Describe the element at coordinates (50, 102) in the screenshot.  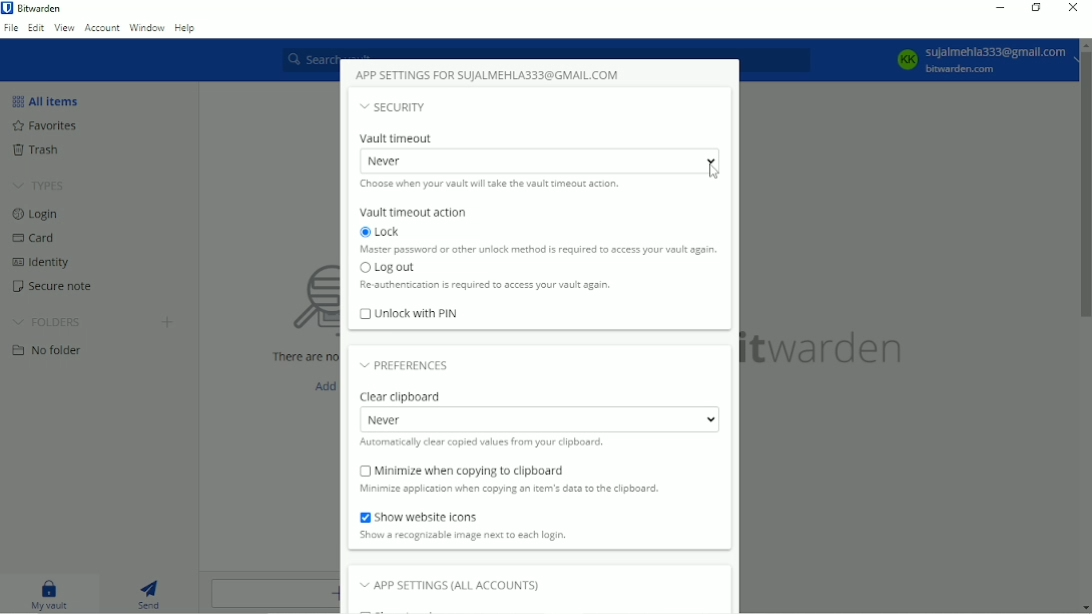
I see `All items` at that location.